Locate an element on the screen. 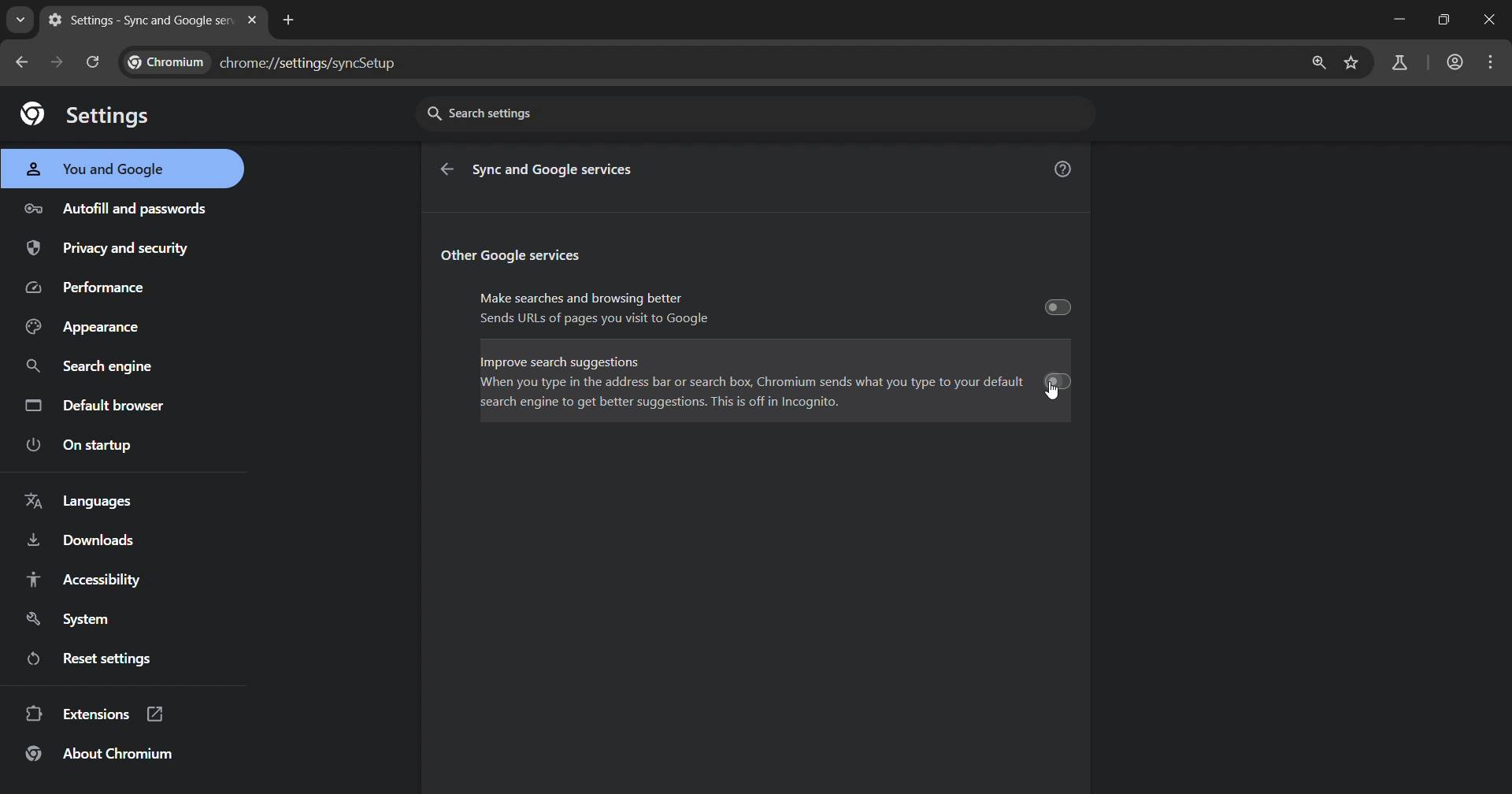  accessibilty is located at coordinates (84, 579).